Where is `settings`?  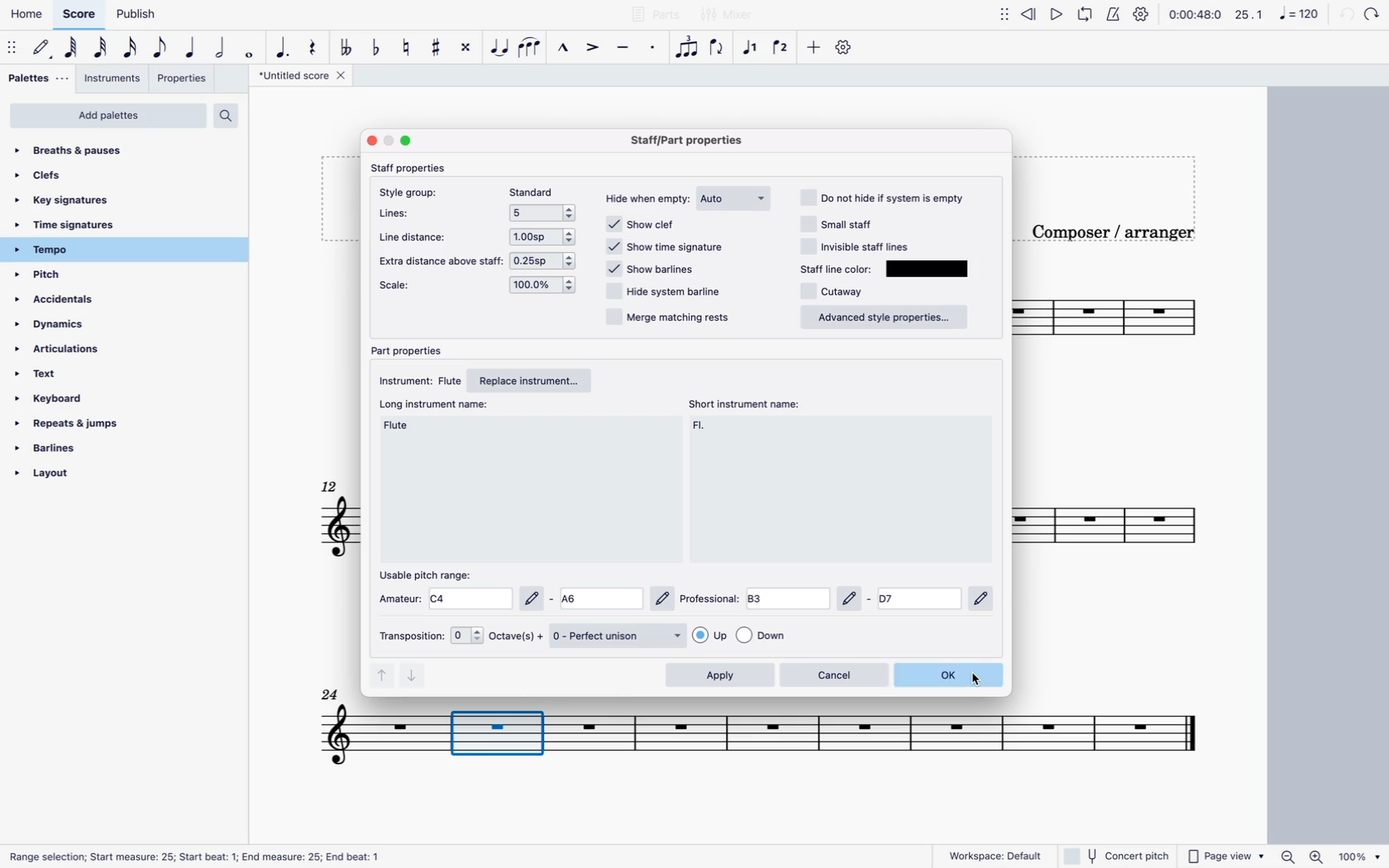 settings is located at coordinates (848, 50).